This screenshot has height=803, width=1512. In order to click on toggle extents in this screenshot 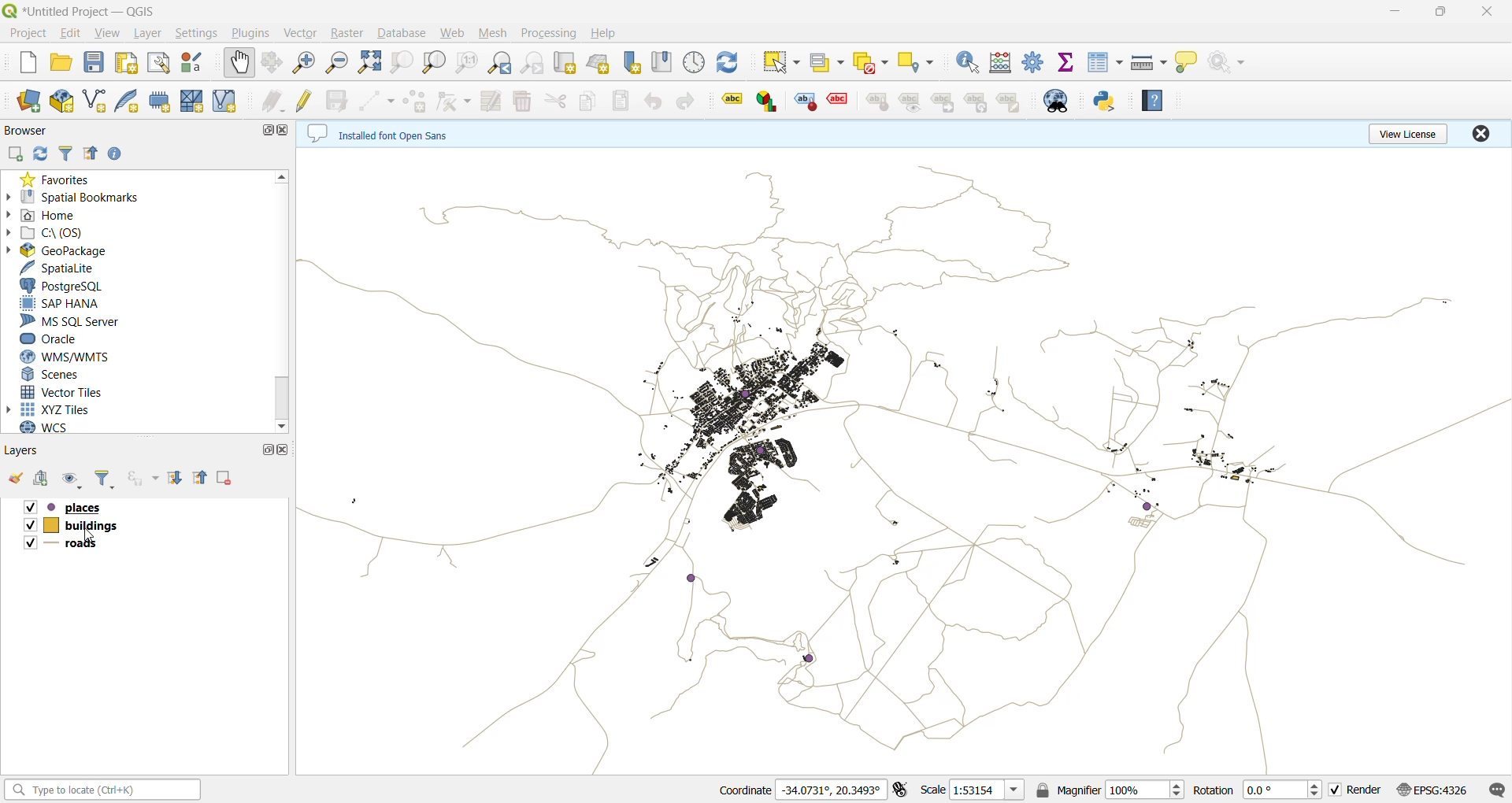, I will do `click(901, 790)`.